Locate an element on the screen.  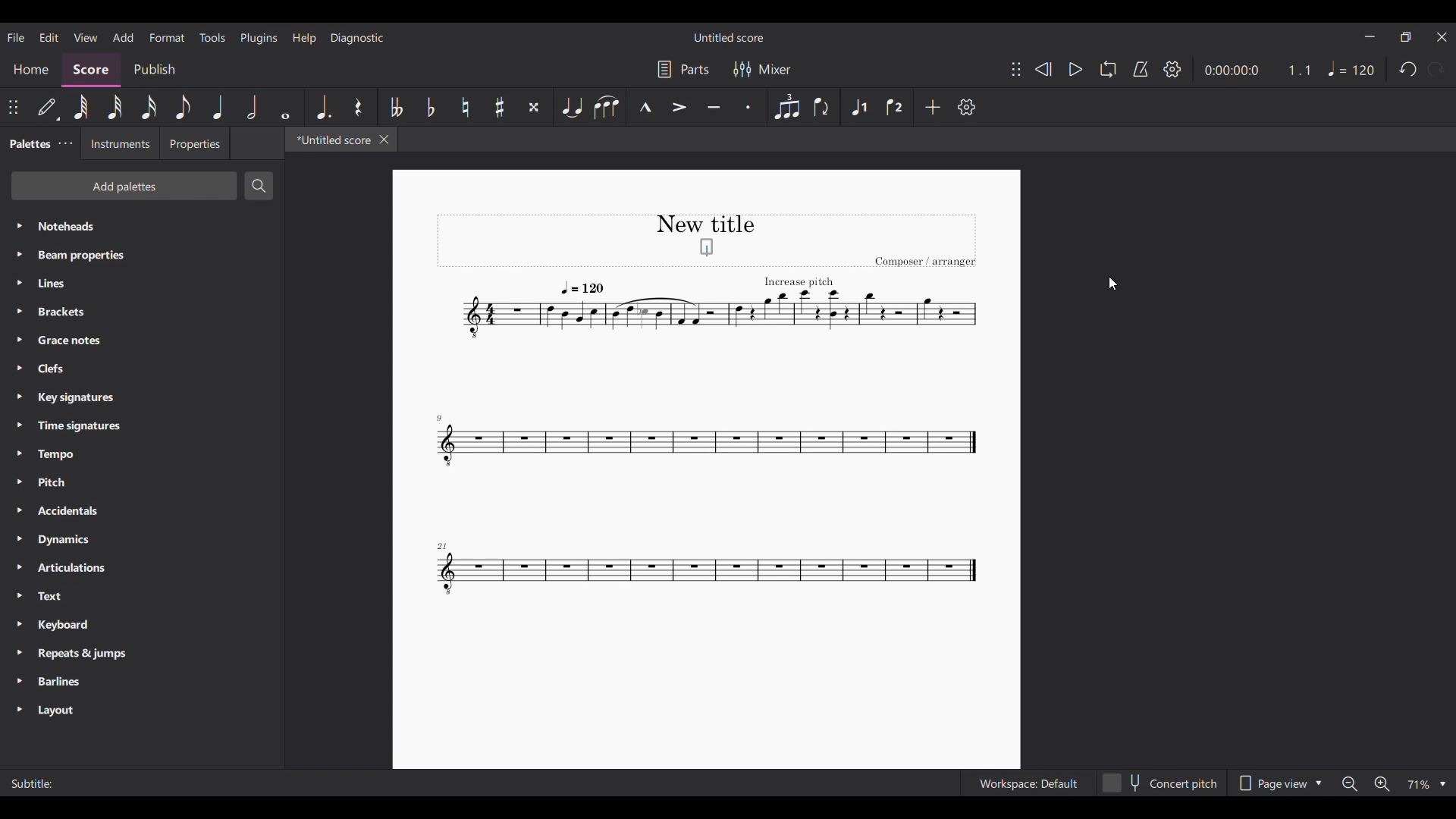
Layout is located at coordinates (143, 711).